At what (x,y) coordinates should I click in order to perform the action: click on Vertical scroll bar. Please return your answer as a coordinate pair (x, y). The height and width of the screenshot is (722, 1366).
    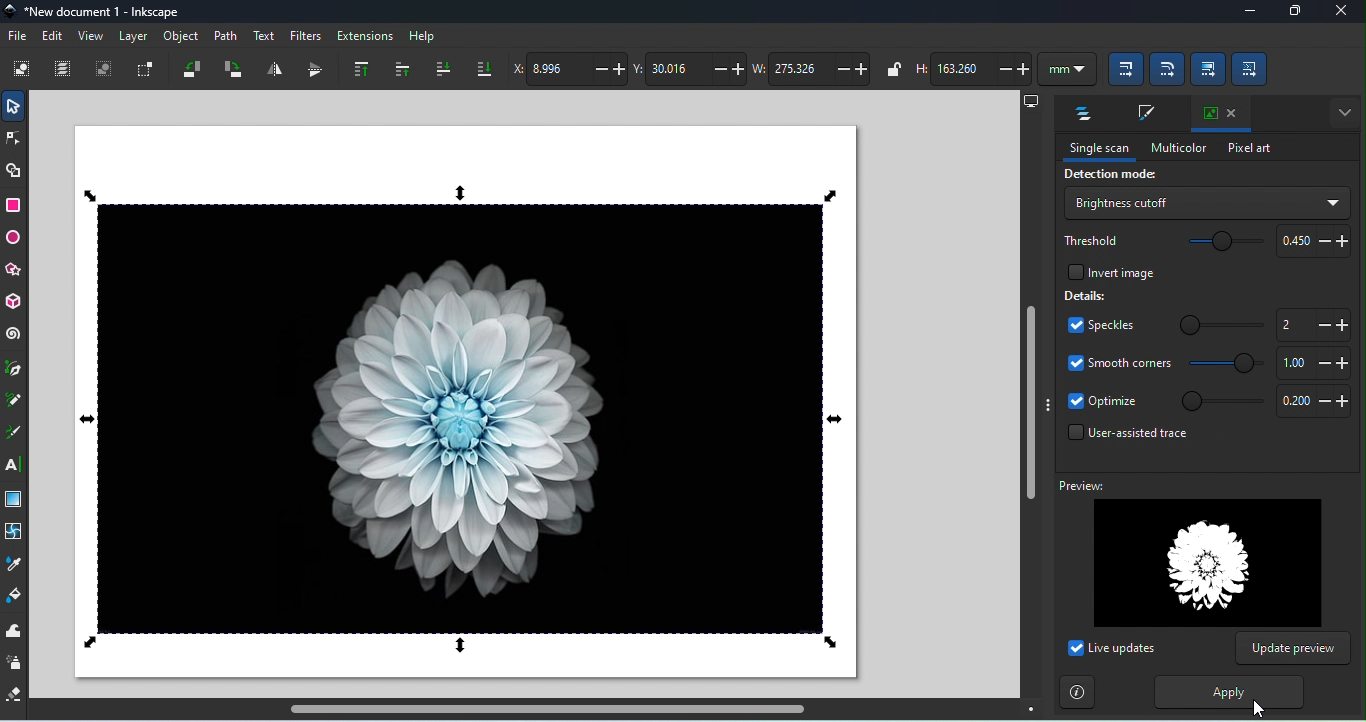
    Looking at the image, I should click on (1029, 406).